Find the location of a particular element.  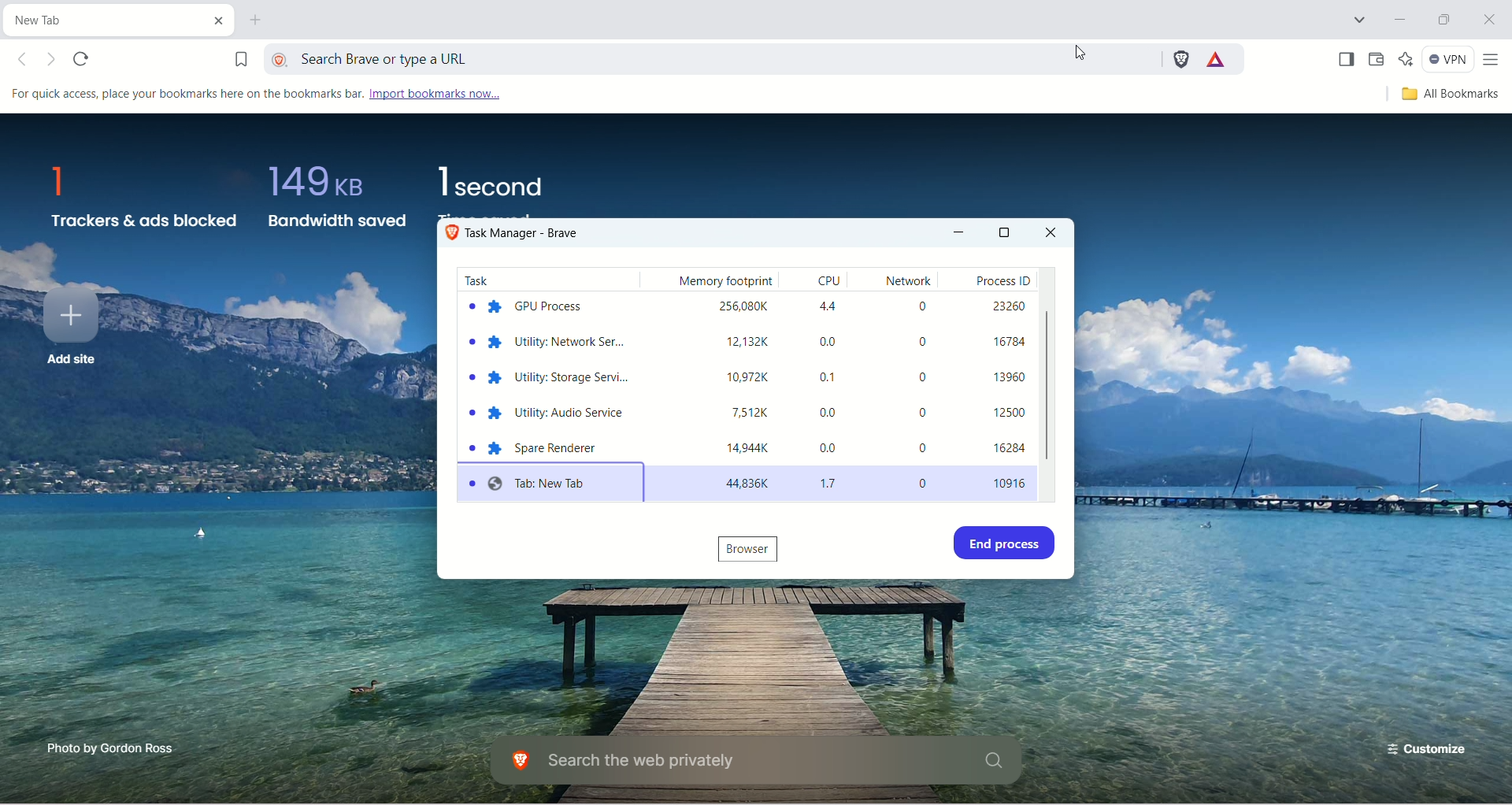

search Brave or type a URL is located at coordinates (710, 57).